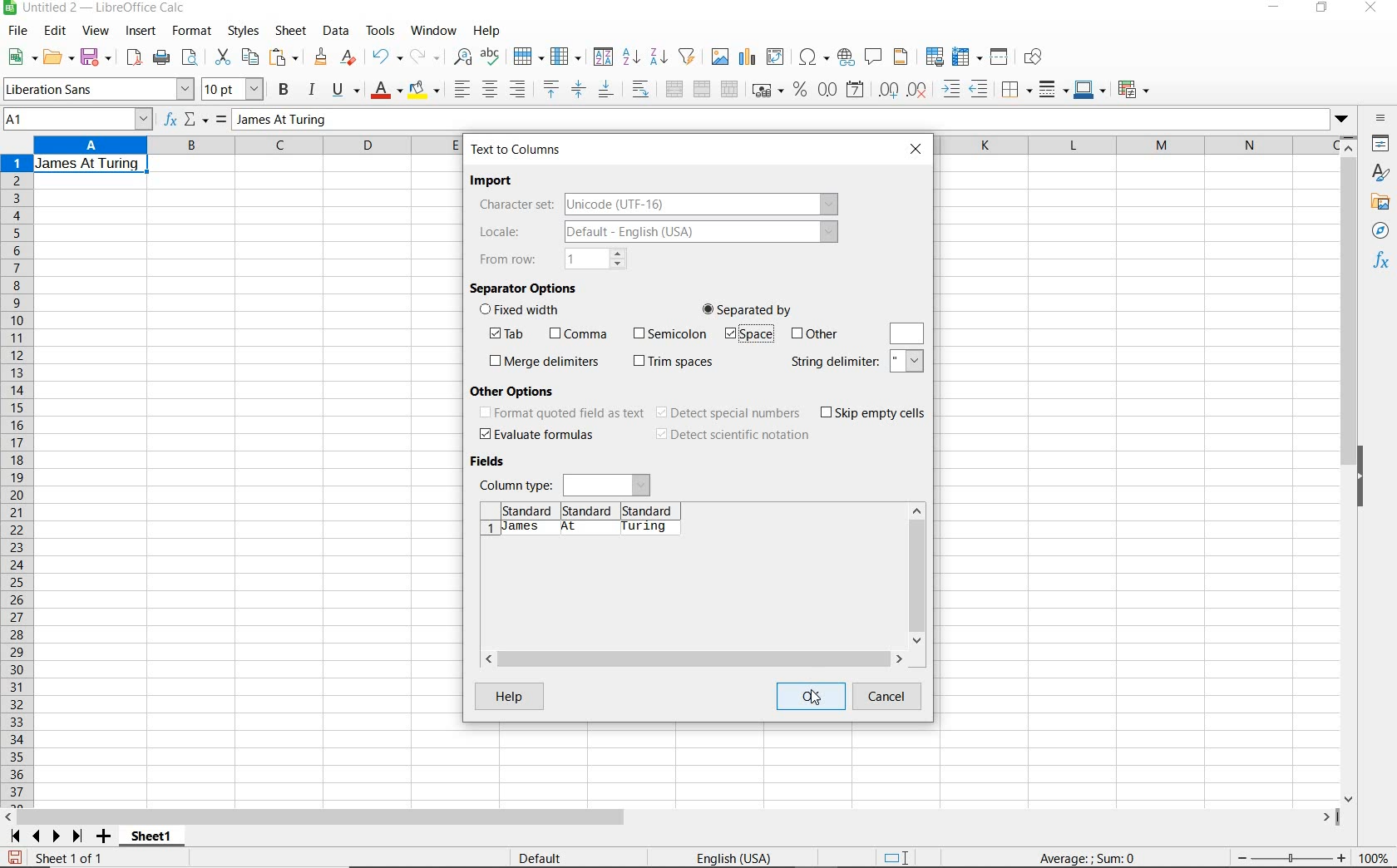 Image resolution: width=1397 pixels, height=868 pixels. What do you see at coordinates (721, 57) in the screenshot?
I see `insert image` at bounding box center [721, 57].